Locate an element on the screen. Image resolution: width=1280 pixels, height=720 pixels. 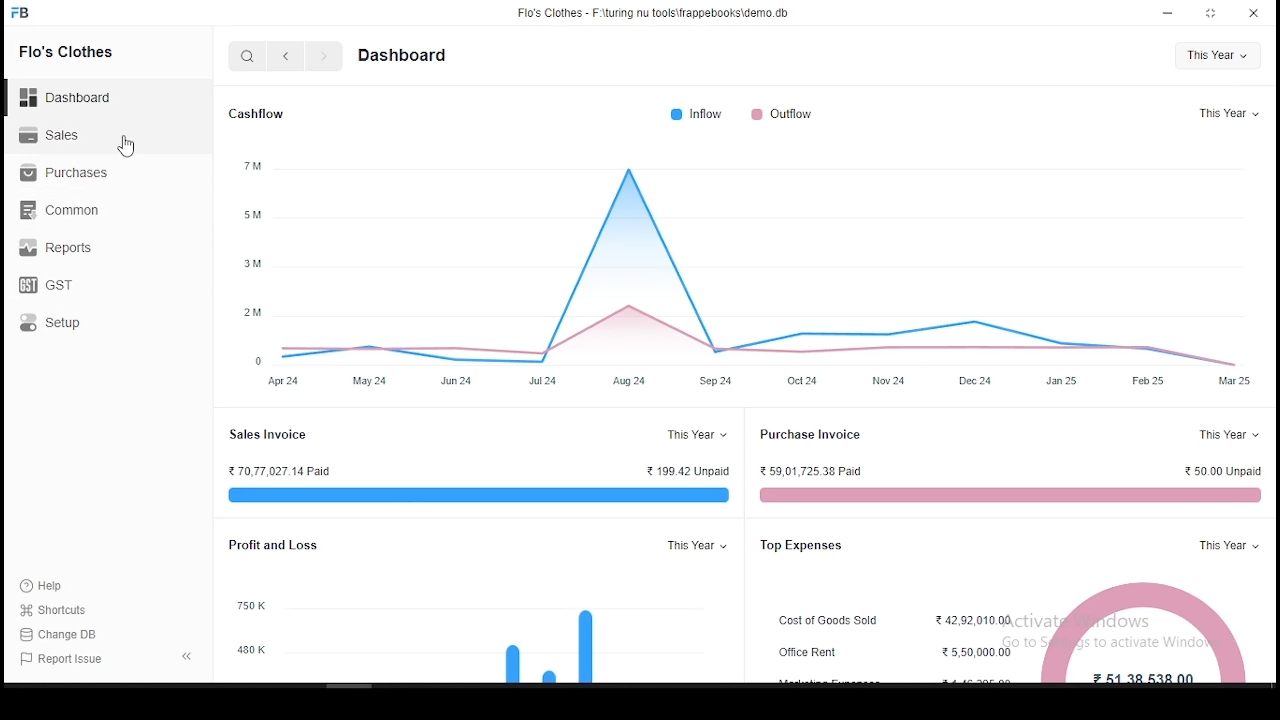
shortouts is located at coordinates (54, 610).